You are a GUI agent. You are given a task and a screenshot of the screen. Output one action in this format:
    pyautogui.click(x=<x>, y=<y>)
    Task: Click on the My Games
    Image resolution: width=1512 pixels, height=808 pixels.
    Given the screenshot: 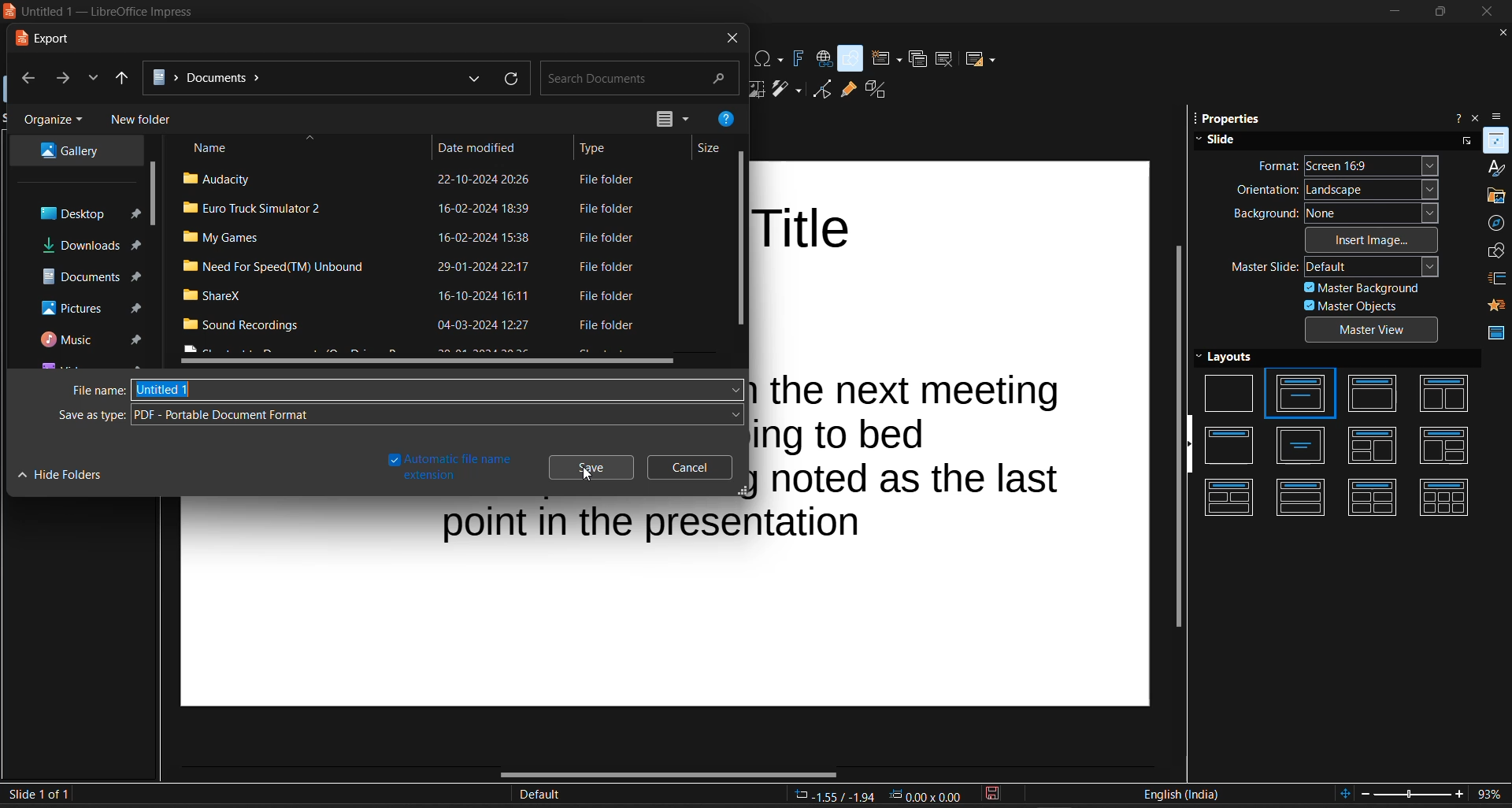 What is the action you would take?
    pyautogui.click(x=224, y=239)
    